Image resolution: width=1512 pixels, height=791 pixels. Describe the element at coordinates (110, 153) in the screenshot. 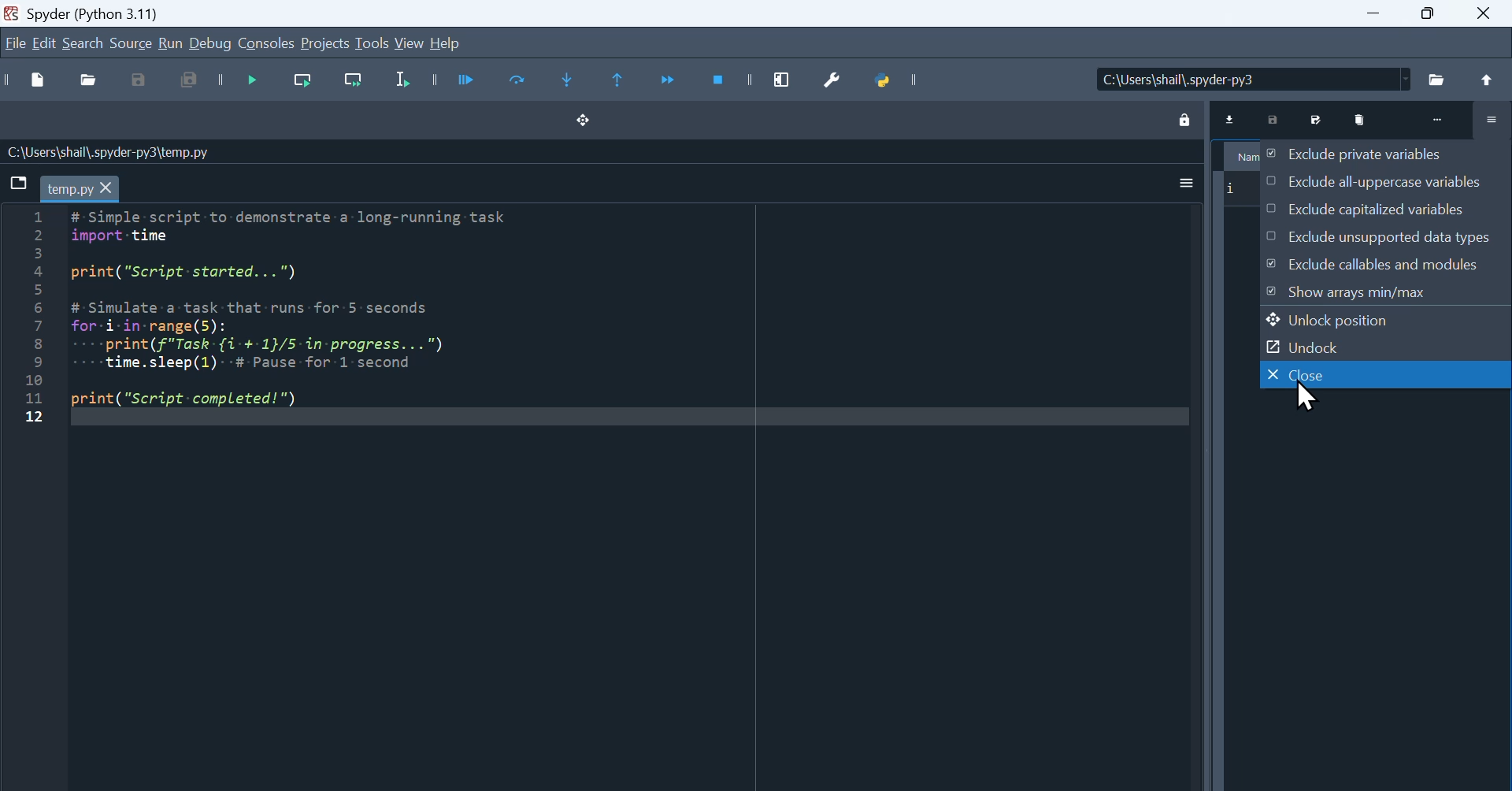

I see `C:\Users\shail\.spyder-py3\temp.py` at that location.